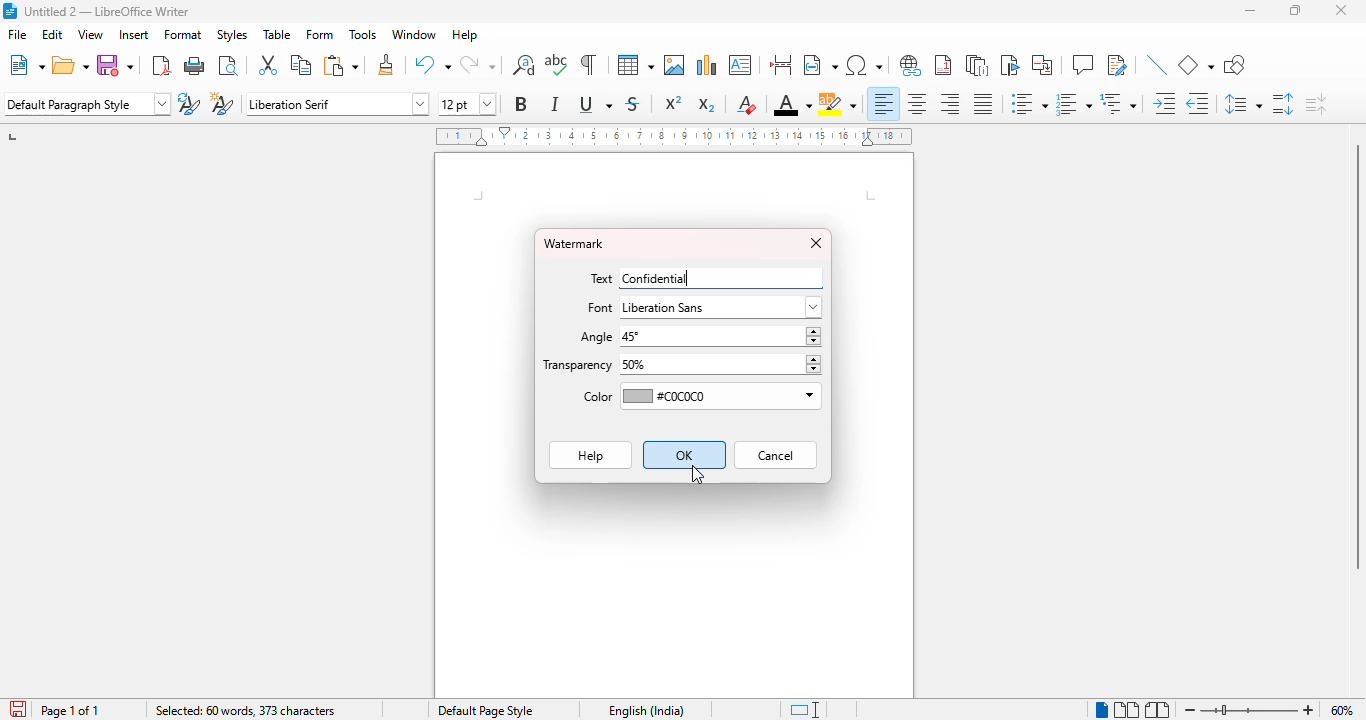  Describe the element at coordinates (977, 65) in the screenshot. I see `insert endnote` at that location.